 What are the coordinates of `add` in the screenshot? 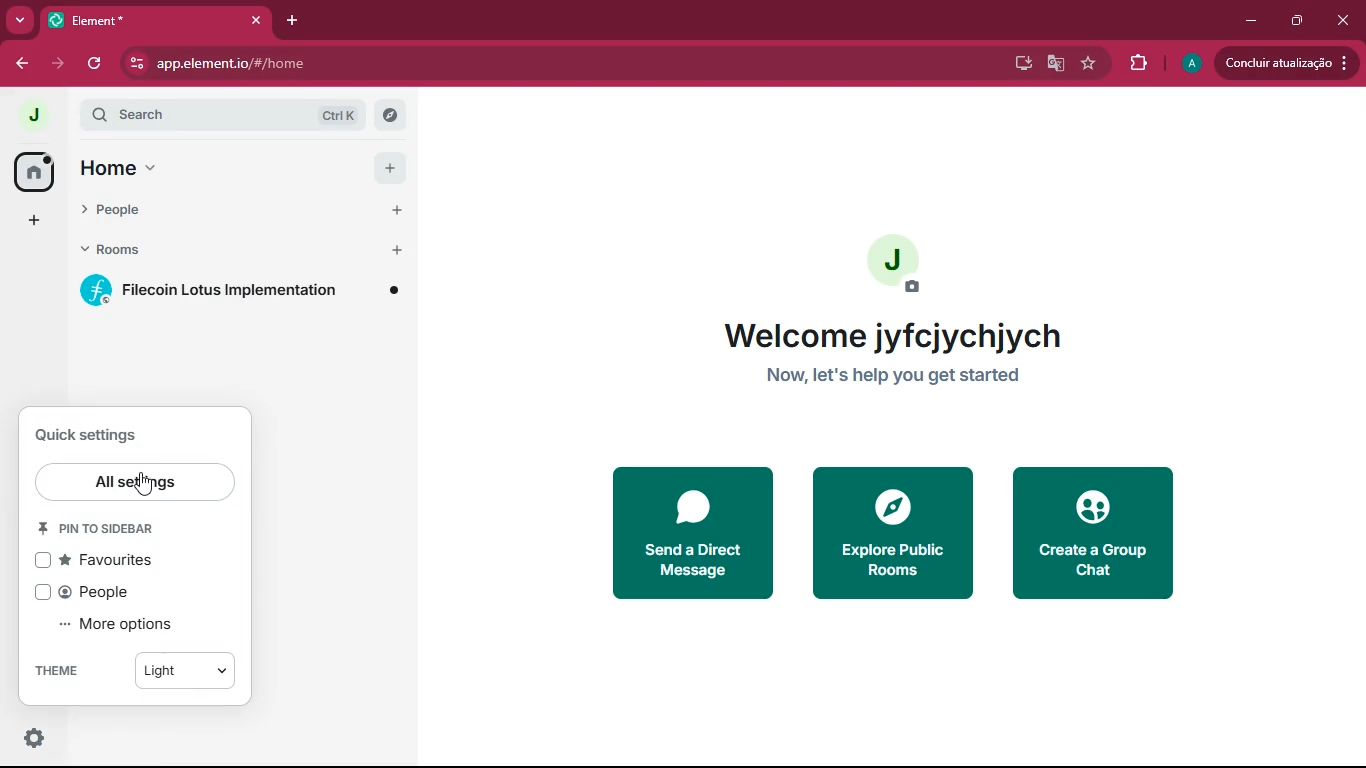 It's located at (390, 170).